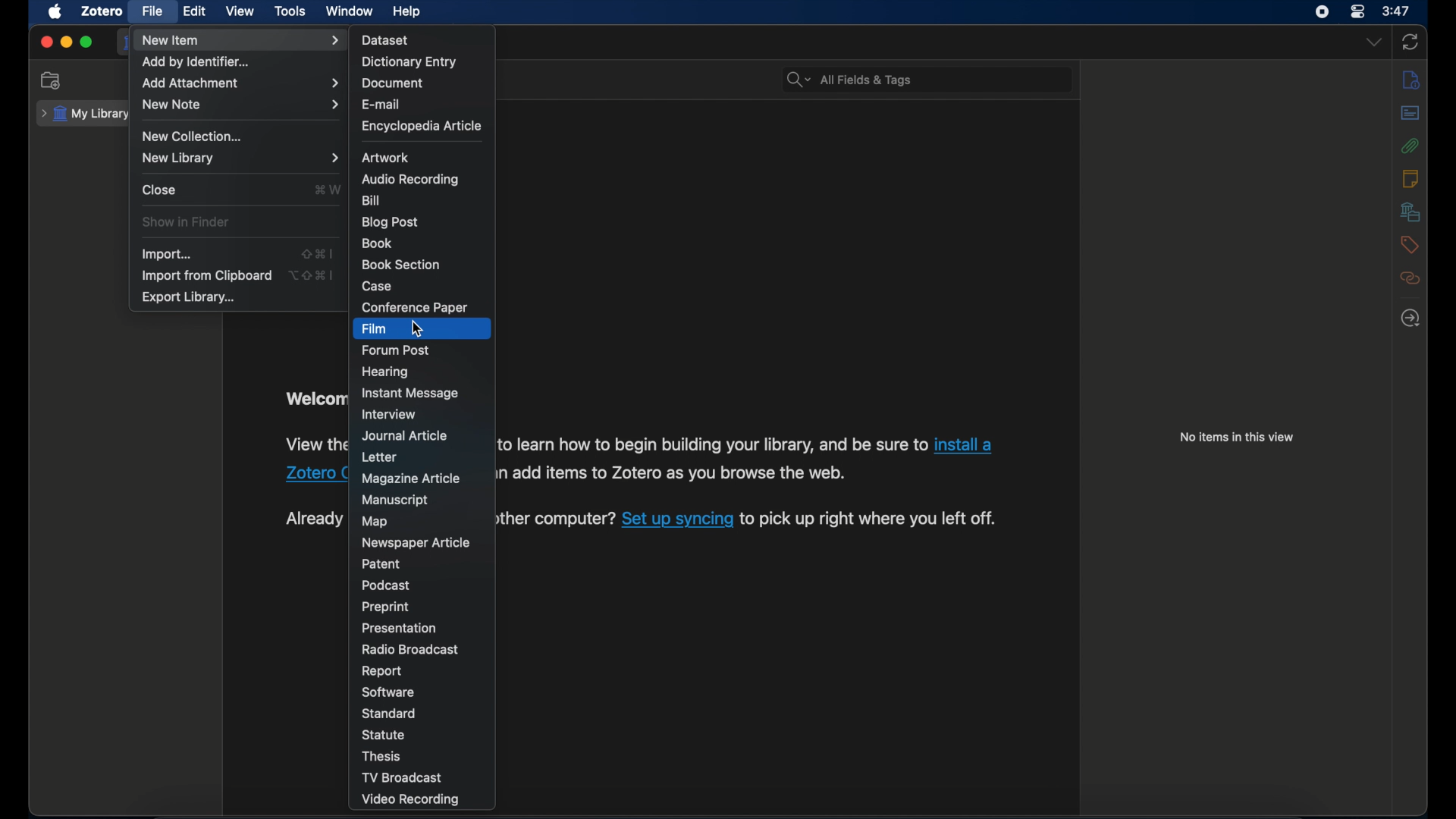 This screenshot has width=1456, height=819. What do you see at coordinates (383, 756) in the screenshot?
I see `thesis` at bounding box center [383, 756].